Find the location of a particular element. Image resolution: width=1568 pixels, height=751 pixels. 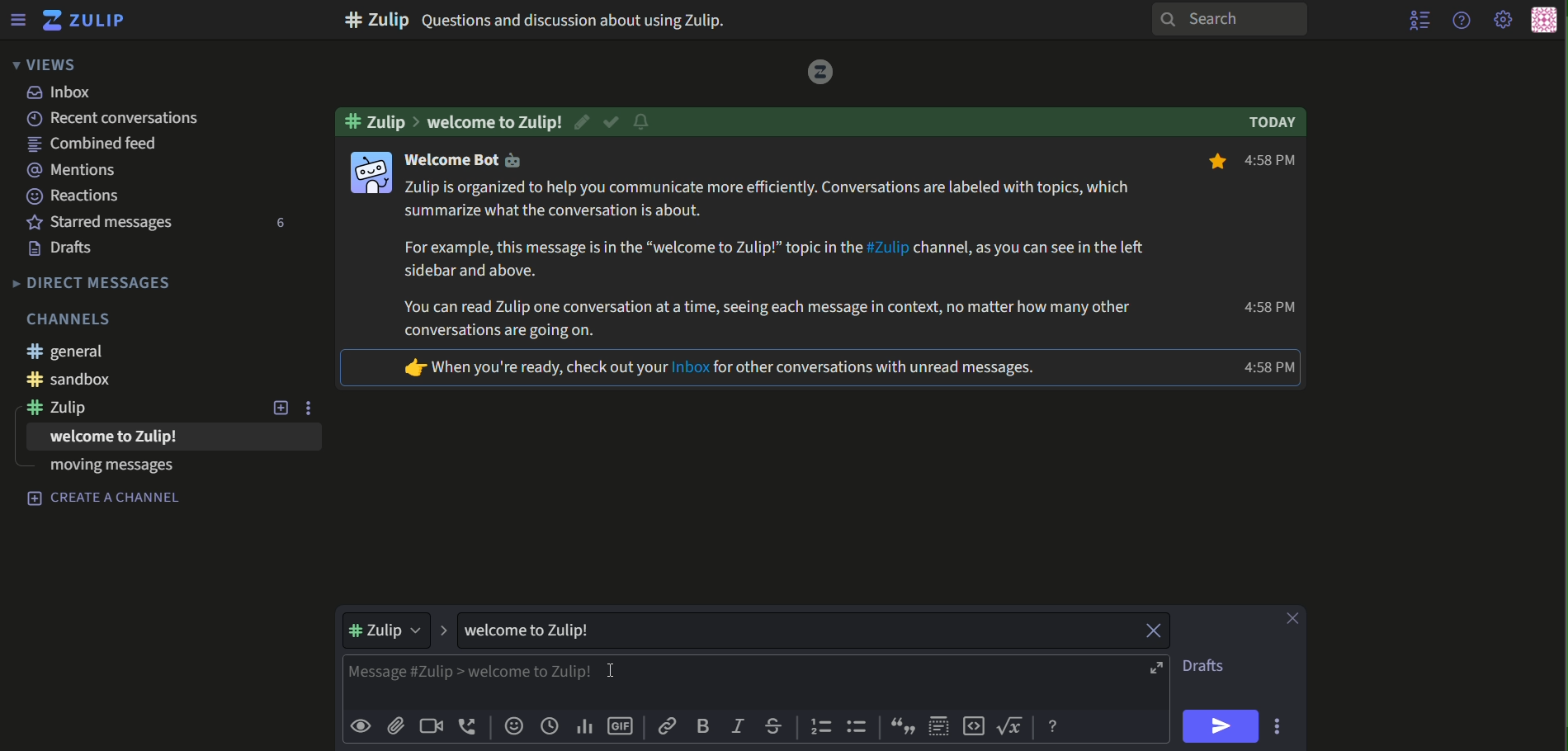

Text is located at coordinates (106, 499).